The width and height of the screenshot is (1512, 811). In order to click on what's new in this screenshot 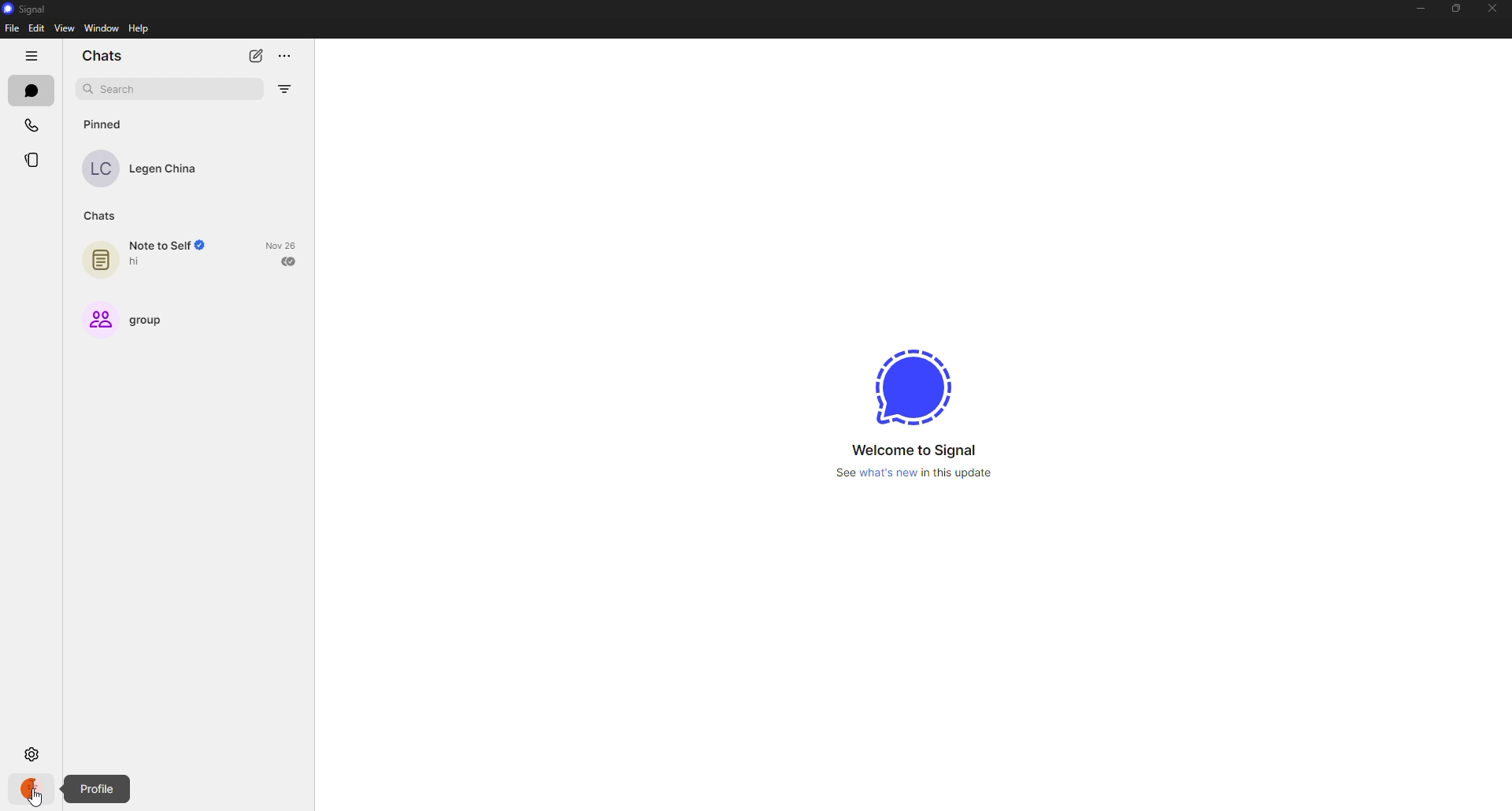, I will do `click(913, 472)`.